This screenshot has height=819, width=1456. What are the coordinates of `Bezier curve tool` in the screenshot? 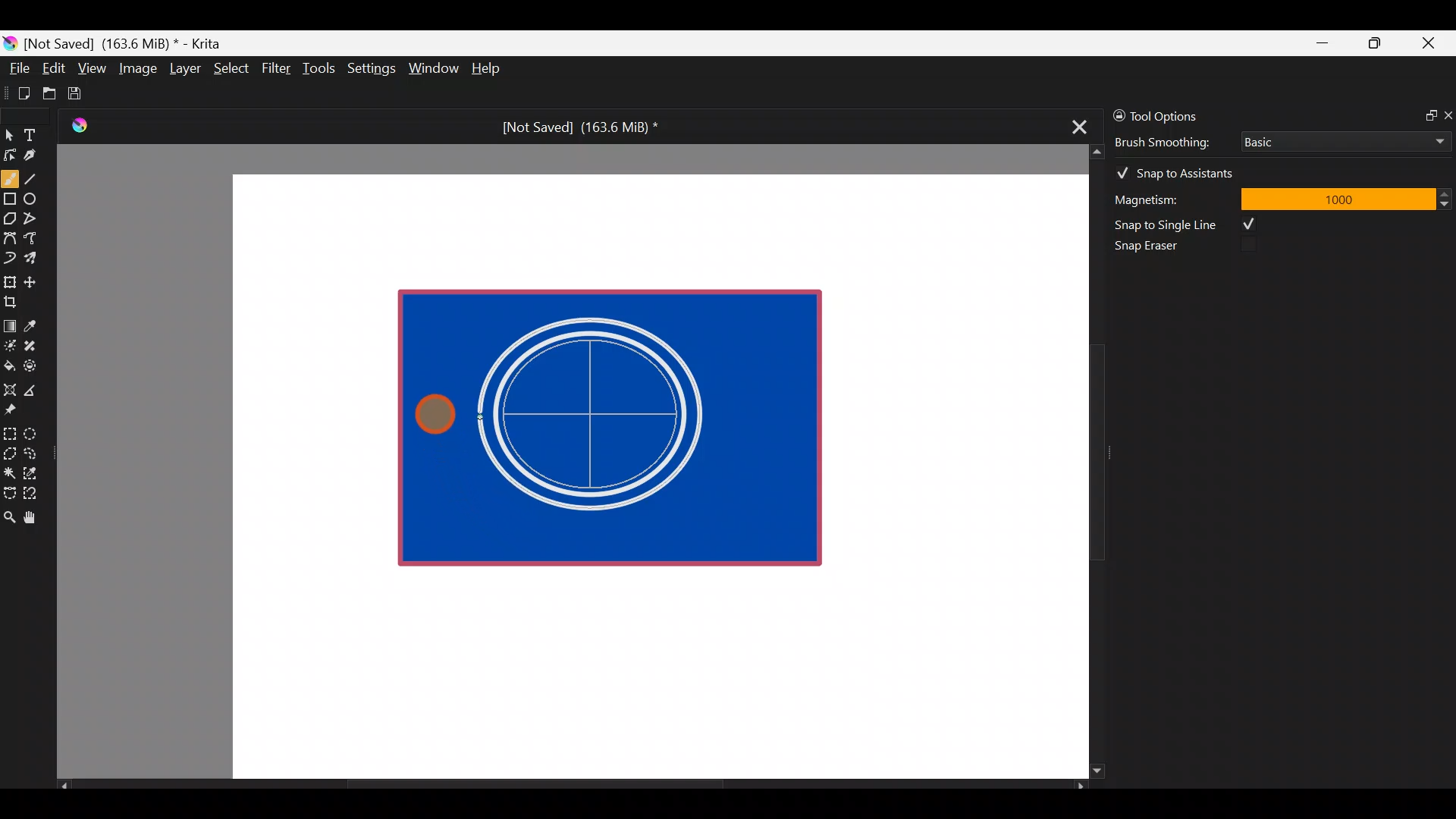 It's located at (9, 240).